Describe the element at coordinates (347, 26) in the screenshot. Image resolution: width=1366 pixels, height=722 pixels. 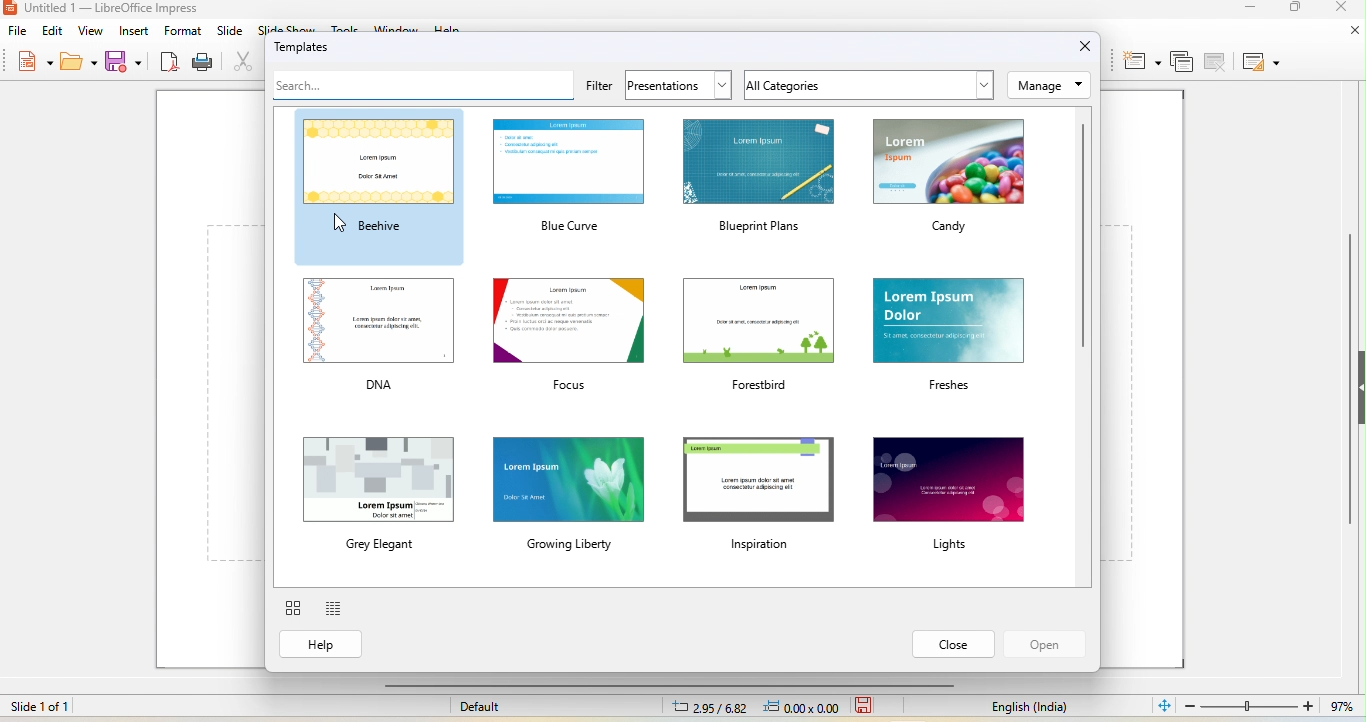
I see `tools` at that location.